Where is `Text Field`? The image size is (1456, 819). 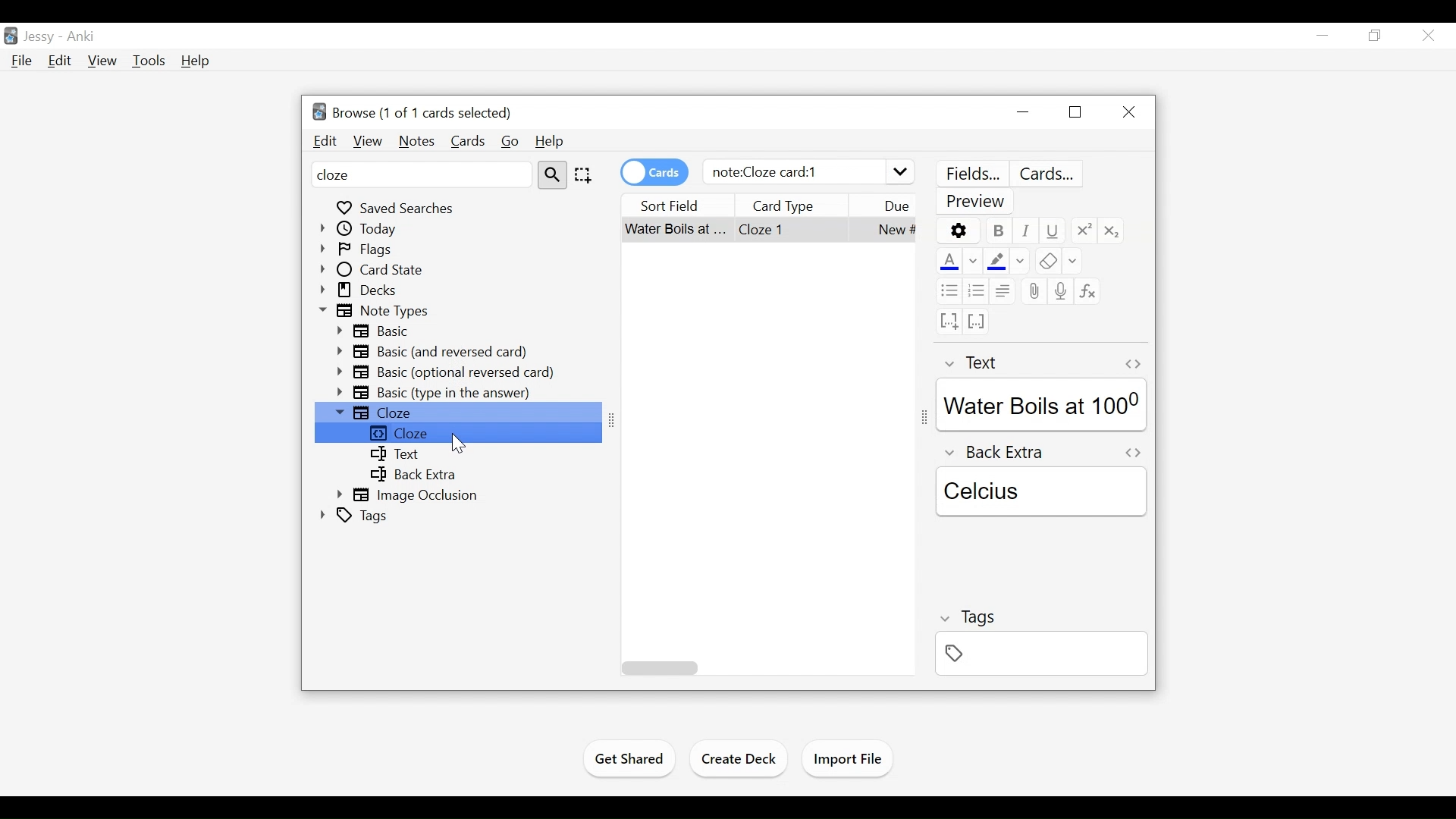
Text Field is located at coordinates (1040, 405).